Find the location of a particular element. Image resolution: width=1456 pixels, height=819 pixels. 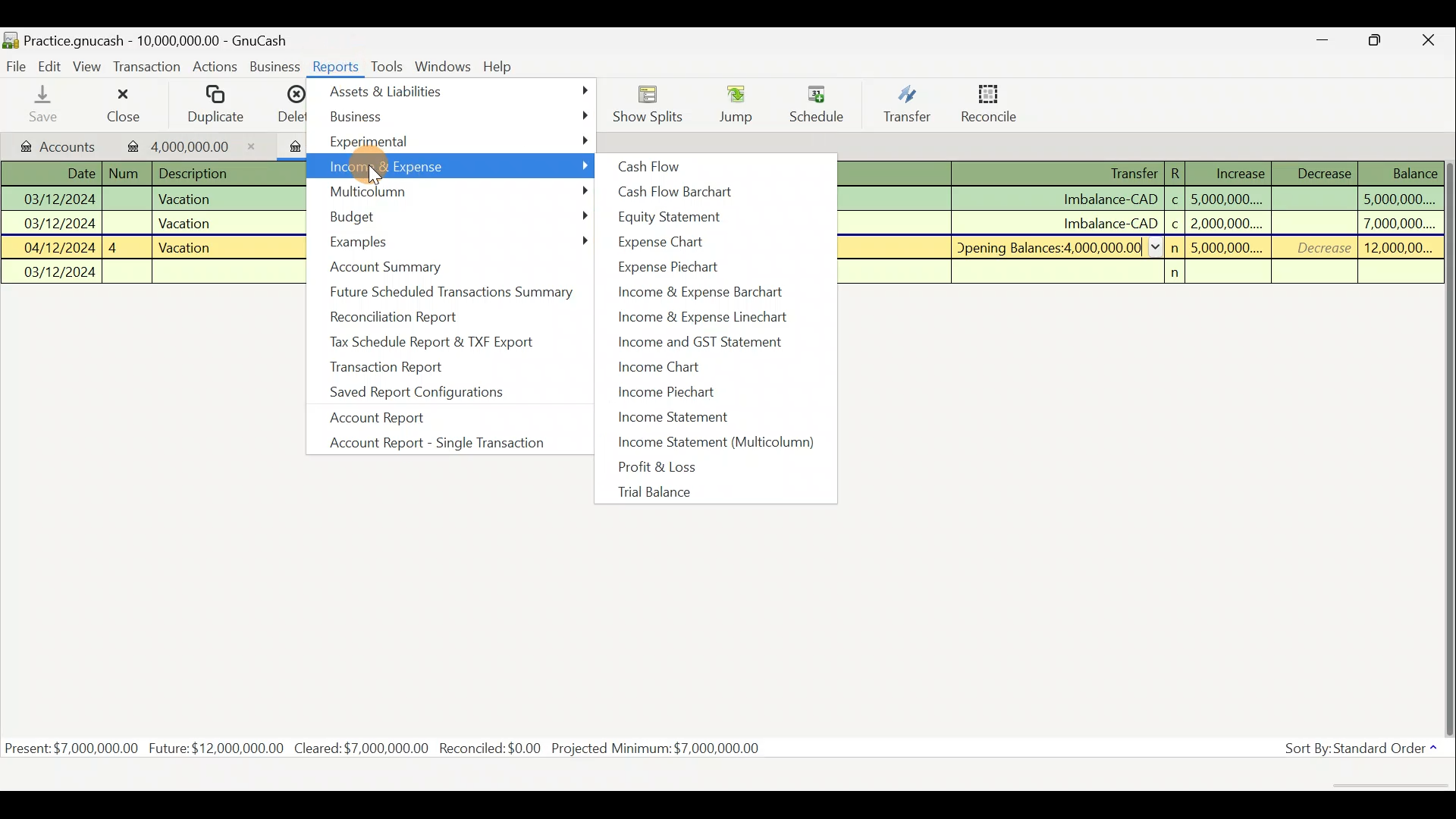

Balance is located at coordinates (1414, 173).